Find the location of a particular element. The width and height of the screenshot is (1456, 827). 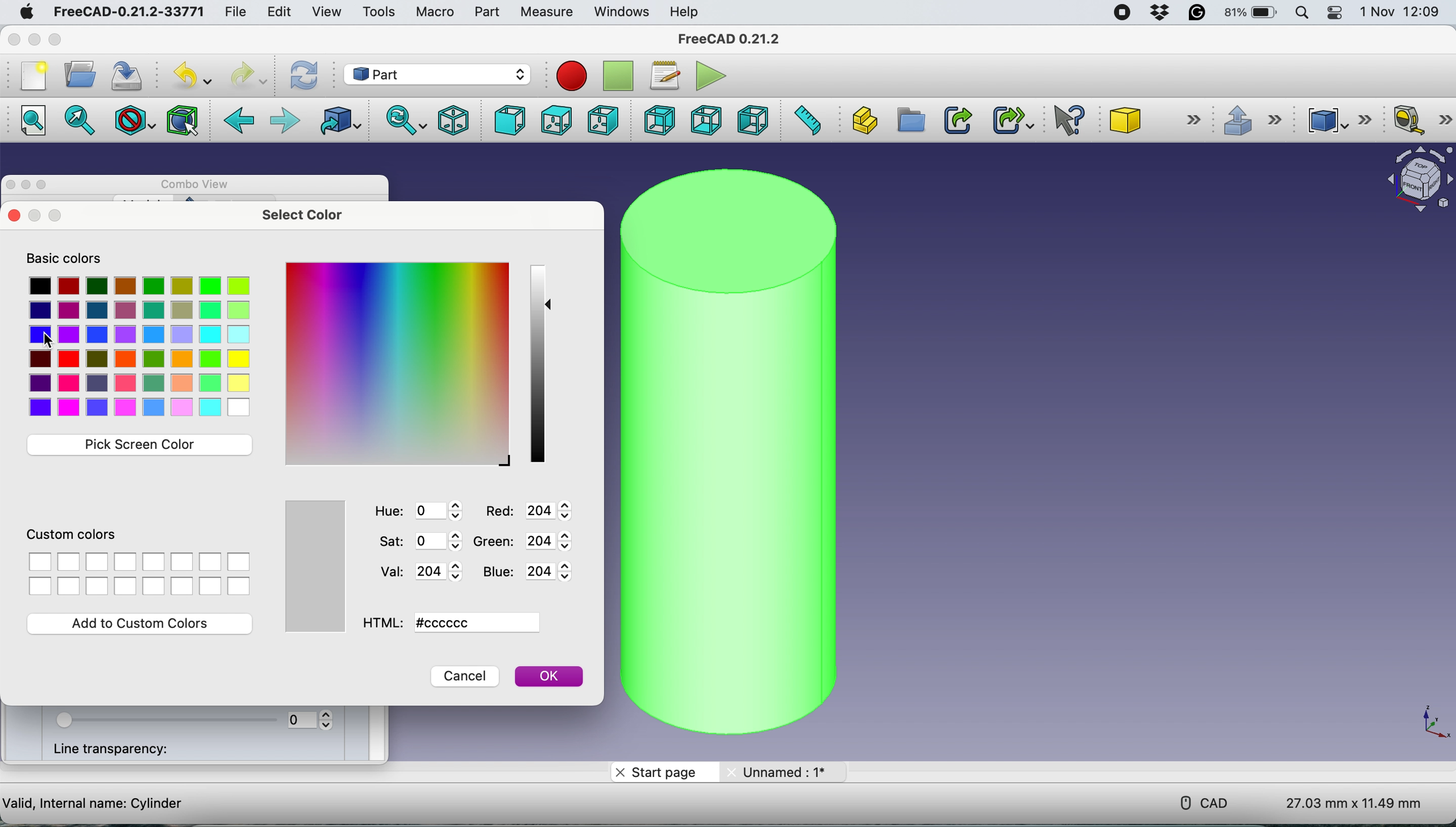

select color is located at coordinates (310, 216).